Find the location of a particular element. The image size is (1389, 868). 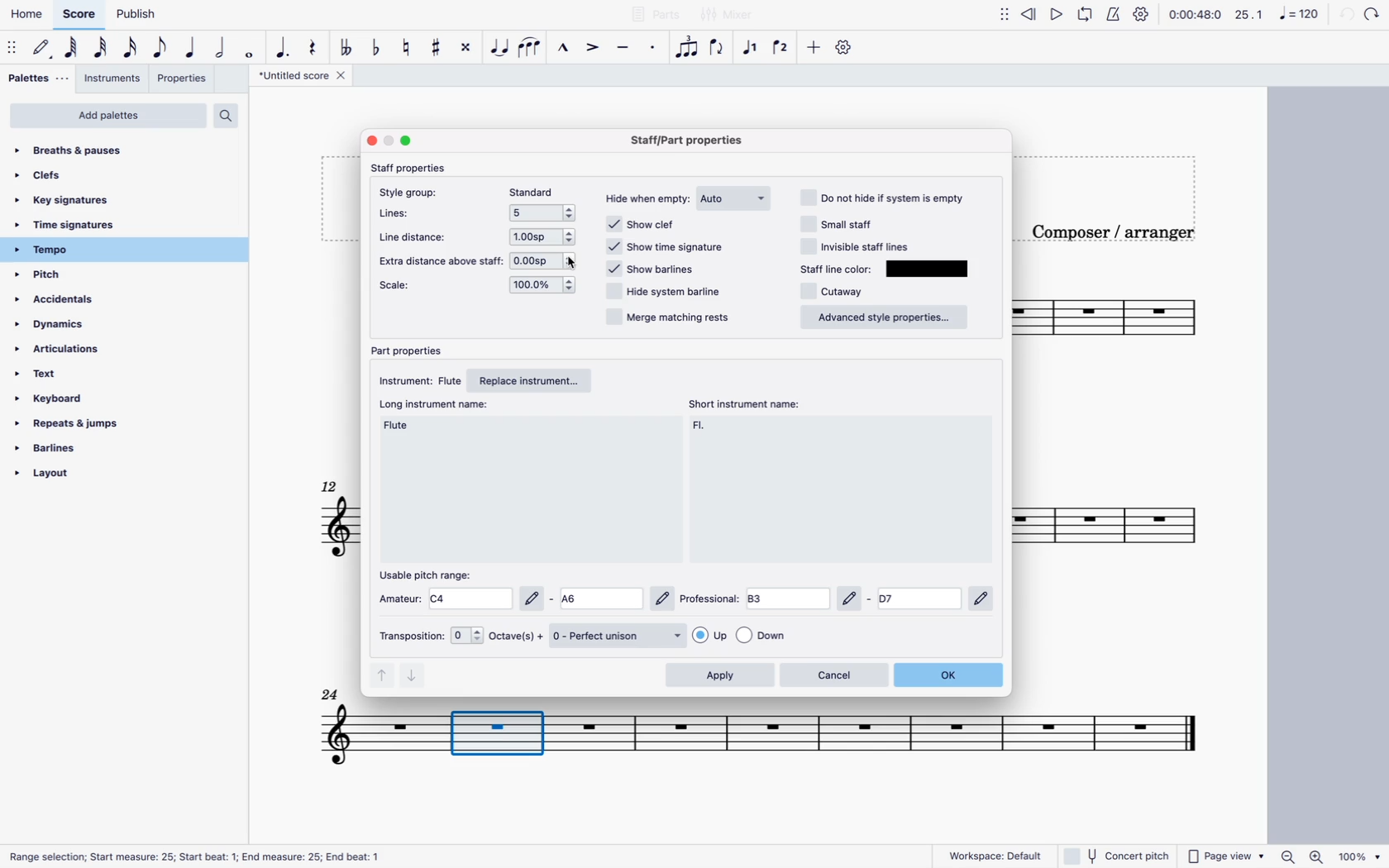

100% is located at coordinates (1360, 856).